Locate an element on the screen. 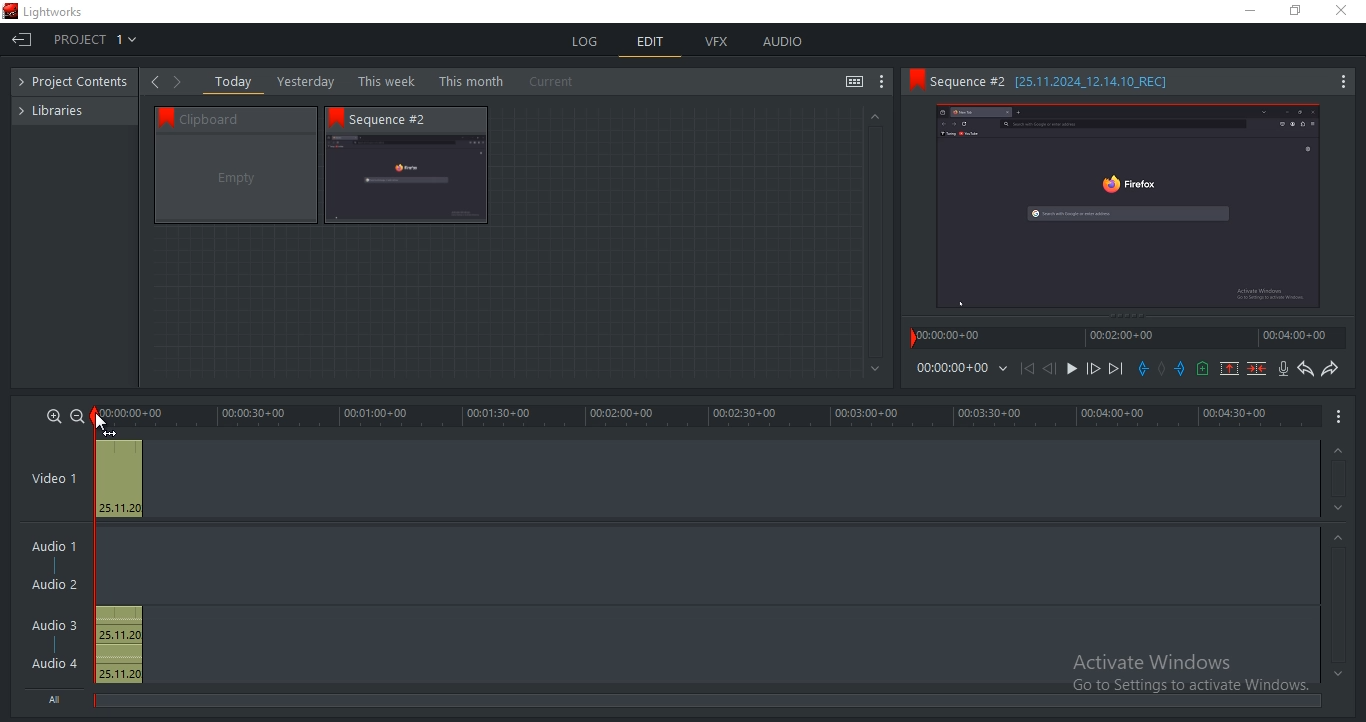 The image size is (1366, 722). Bookmark icon is located at coordinates (915, 80).